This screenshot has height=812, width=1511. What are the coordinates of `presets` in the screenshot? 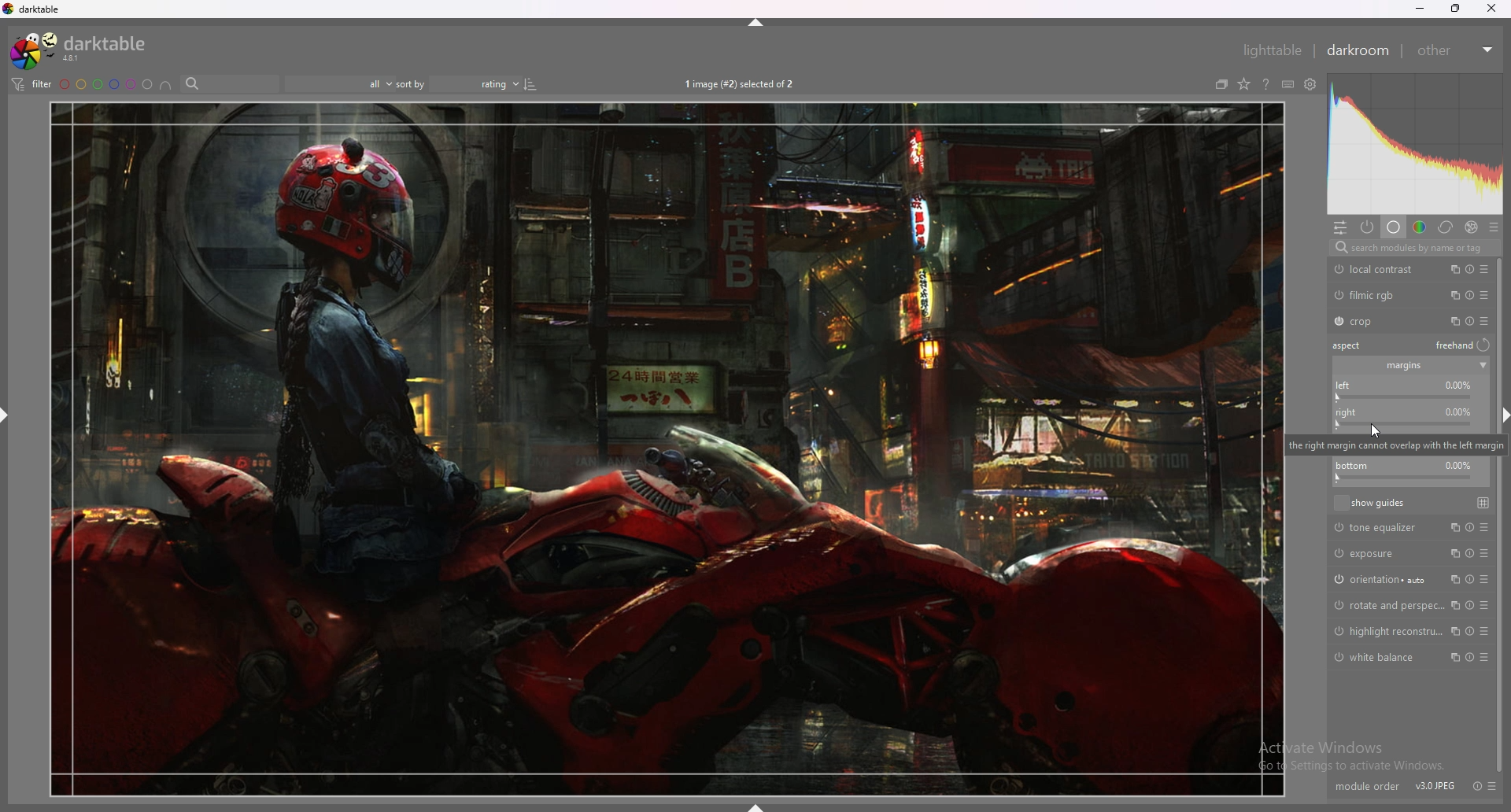 It's located at (1484, 528).